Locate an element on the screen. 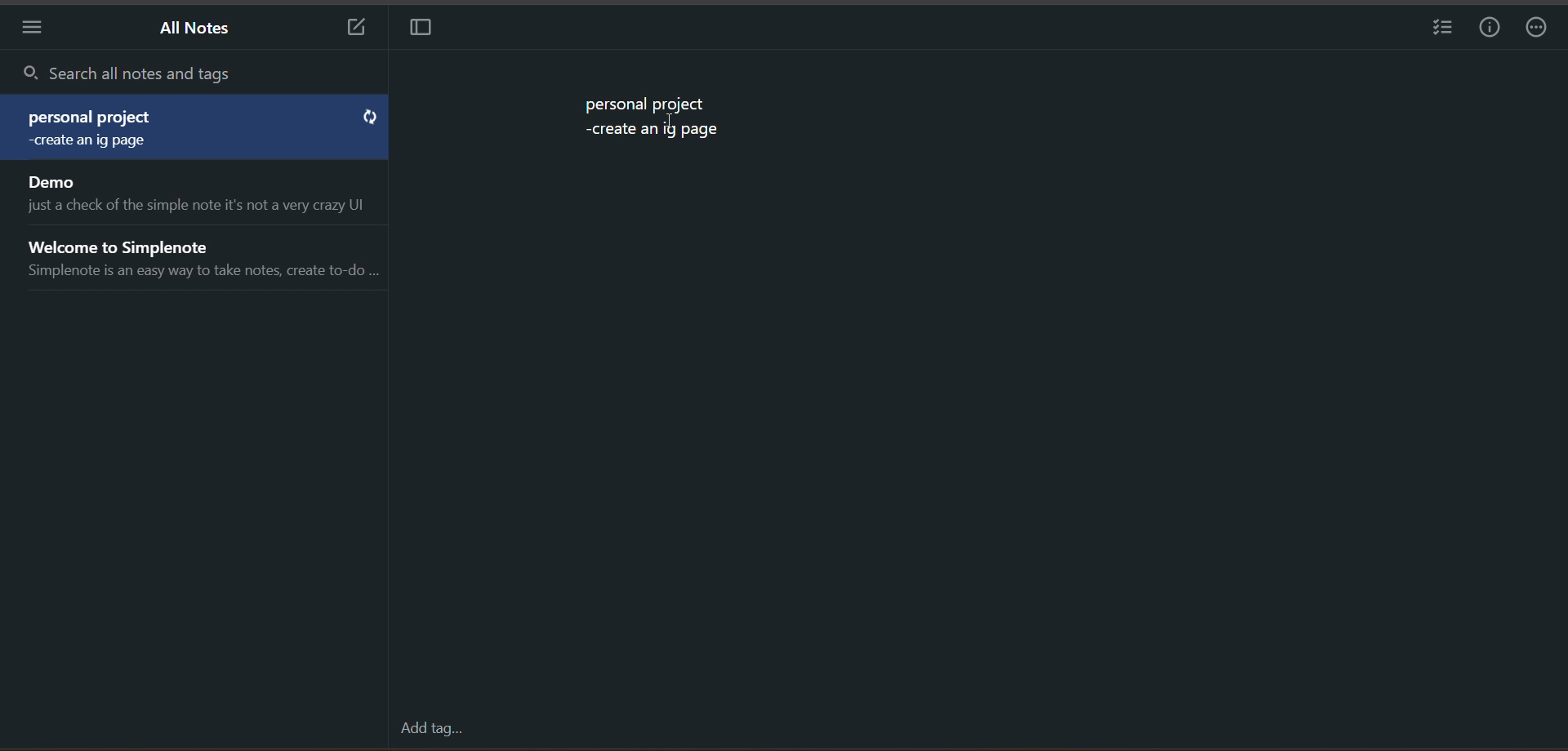  ideas is located at coordinates (657, 135).